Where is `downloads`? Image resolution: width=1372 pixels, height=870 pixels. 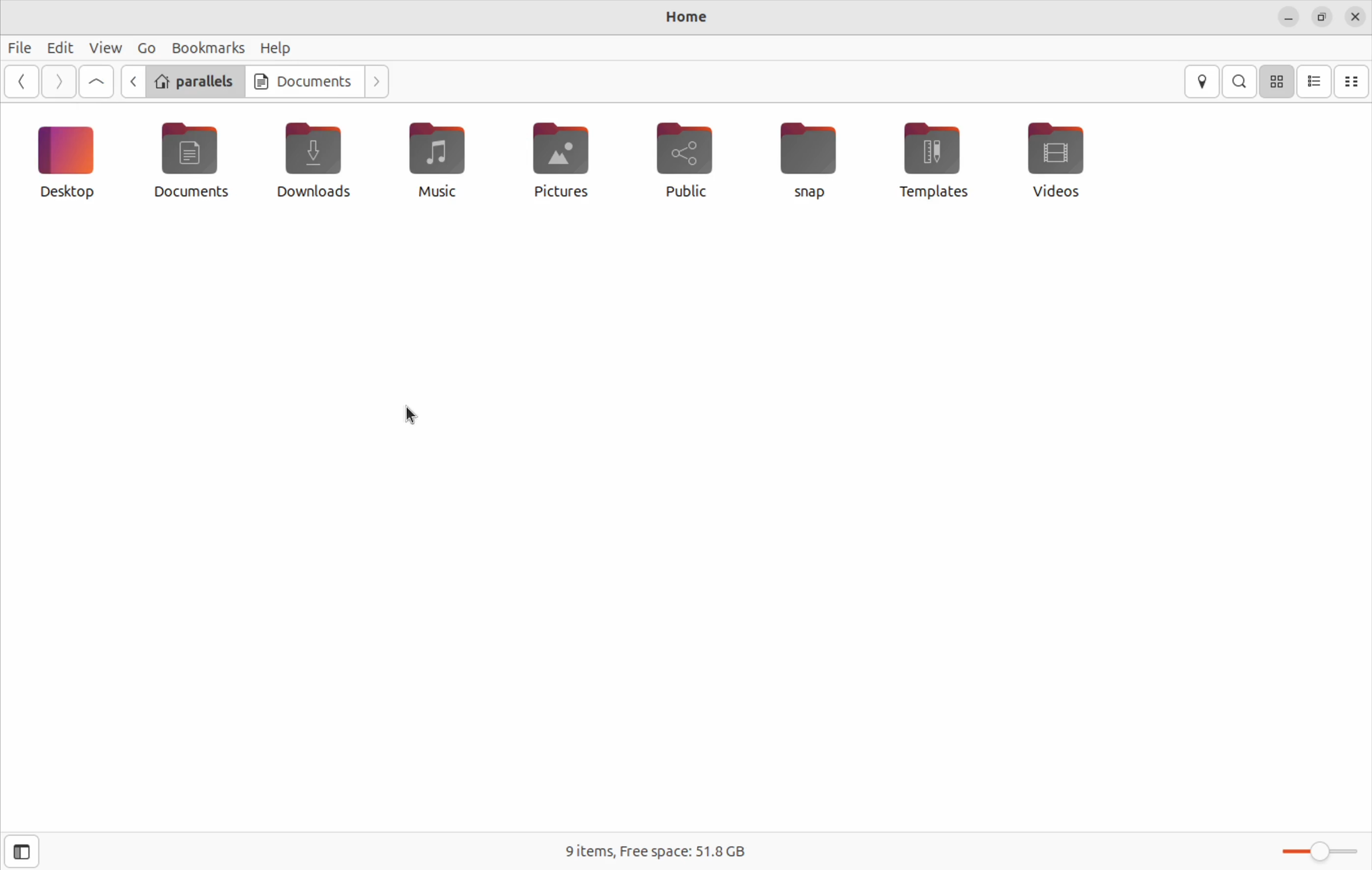 downloads is located at coordinates (296, 169).